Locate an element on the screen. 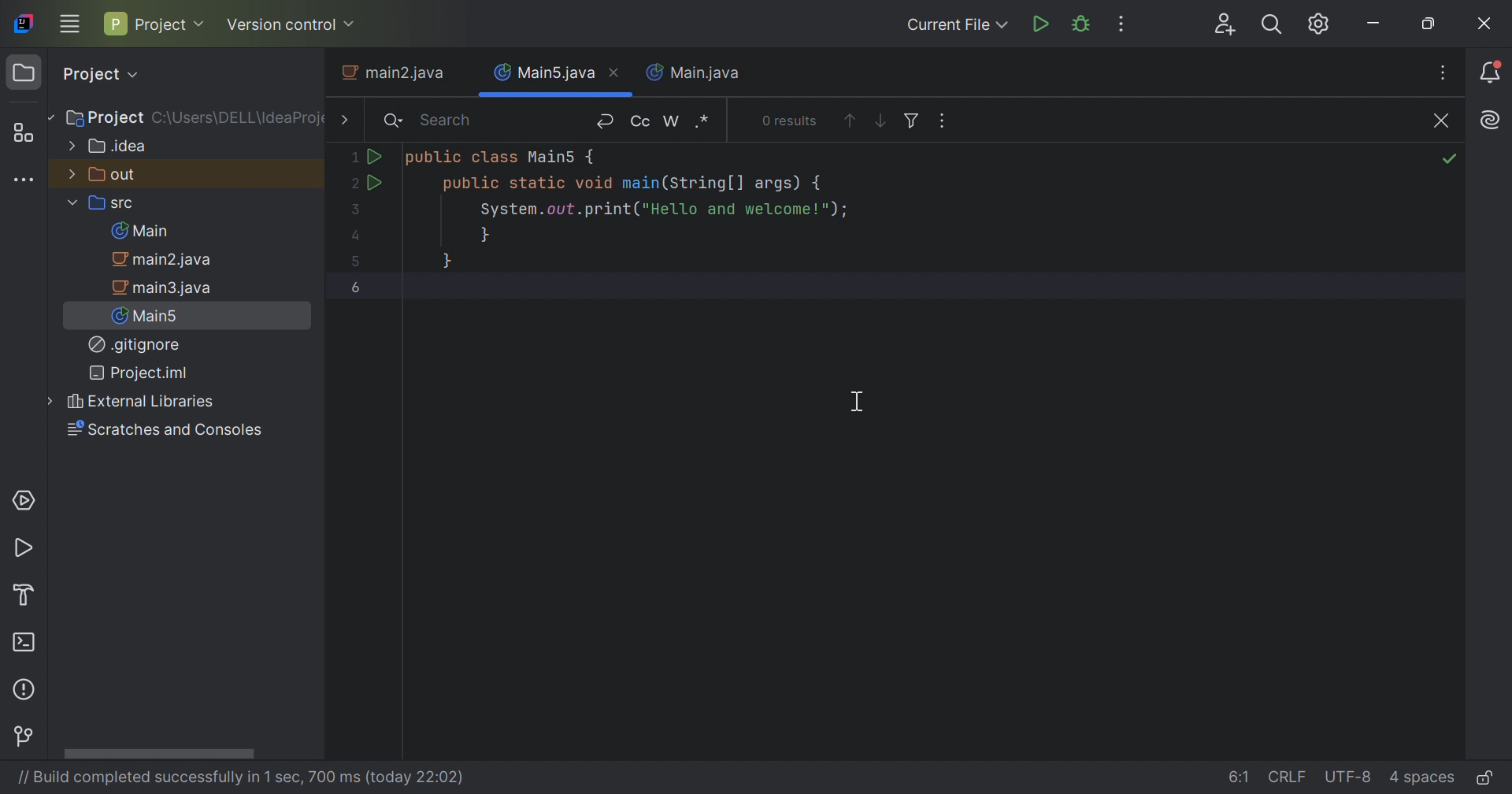  Updates available. IDE and Project settings. is located at coordinates (1319, 25).